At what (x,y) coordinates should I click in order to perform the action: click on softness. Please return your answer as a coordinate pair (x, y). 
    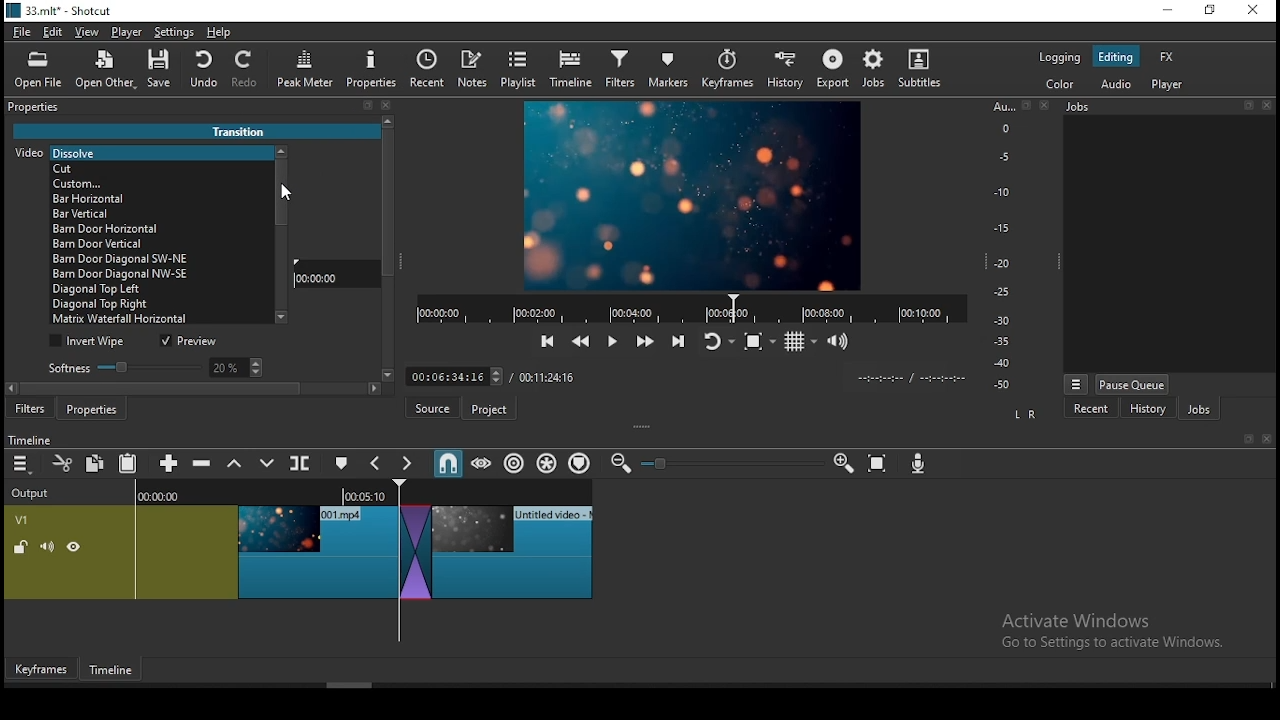
    Looking at the image, I should click on (152, 367).